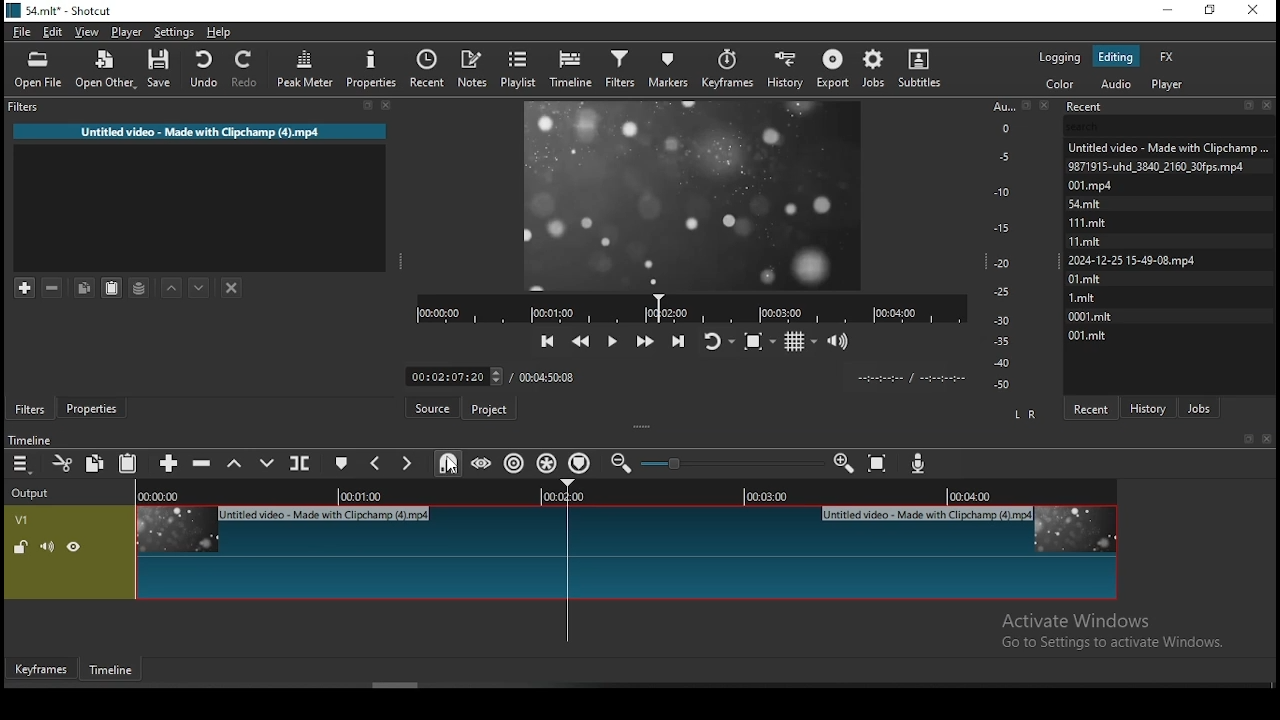 This screenshot has height=720, width=1280. What do you see at coordinates (455, 376) in the screenshot?
I see `timer` at bounding box center [455, 376].